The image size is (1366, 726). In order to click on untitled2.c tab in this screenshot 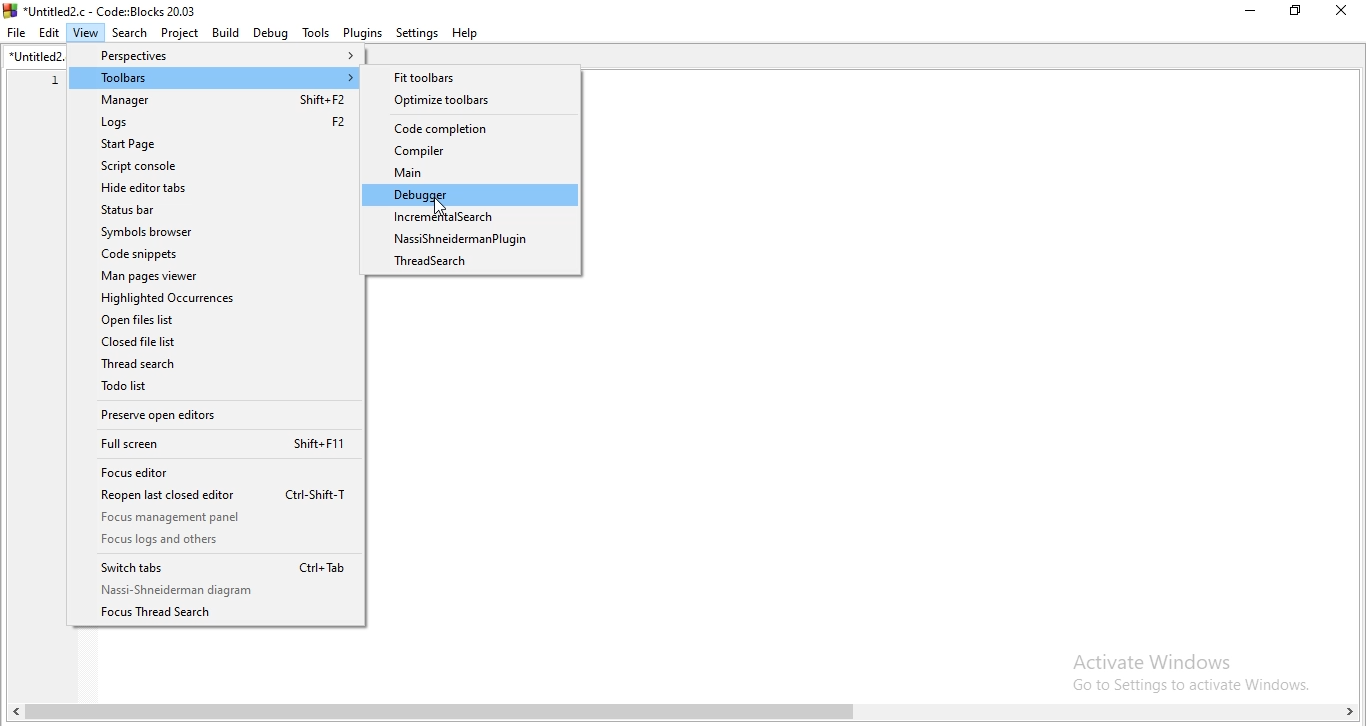, I will do `click(30, 57)`.